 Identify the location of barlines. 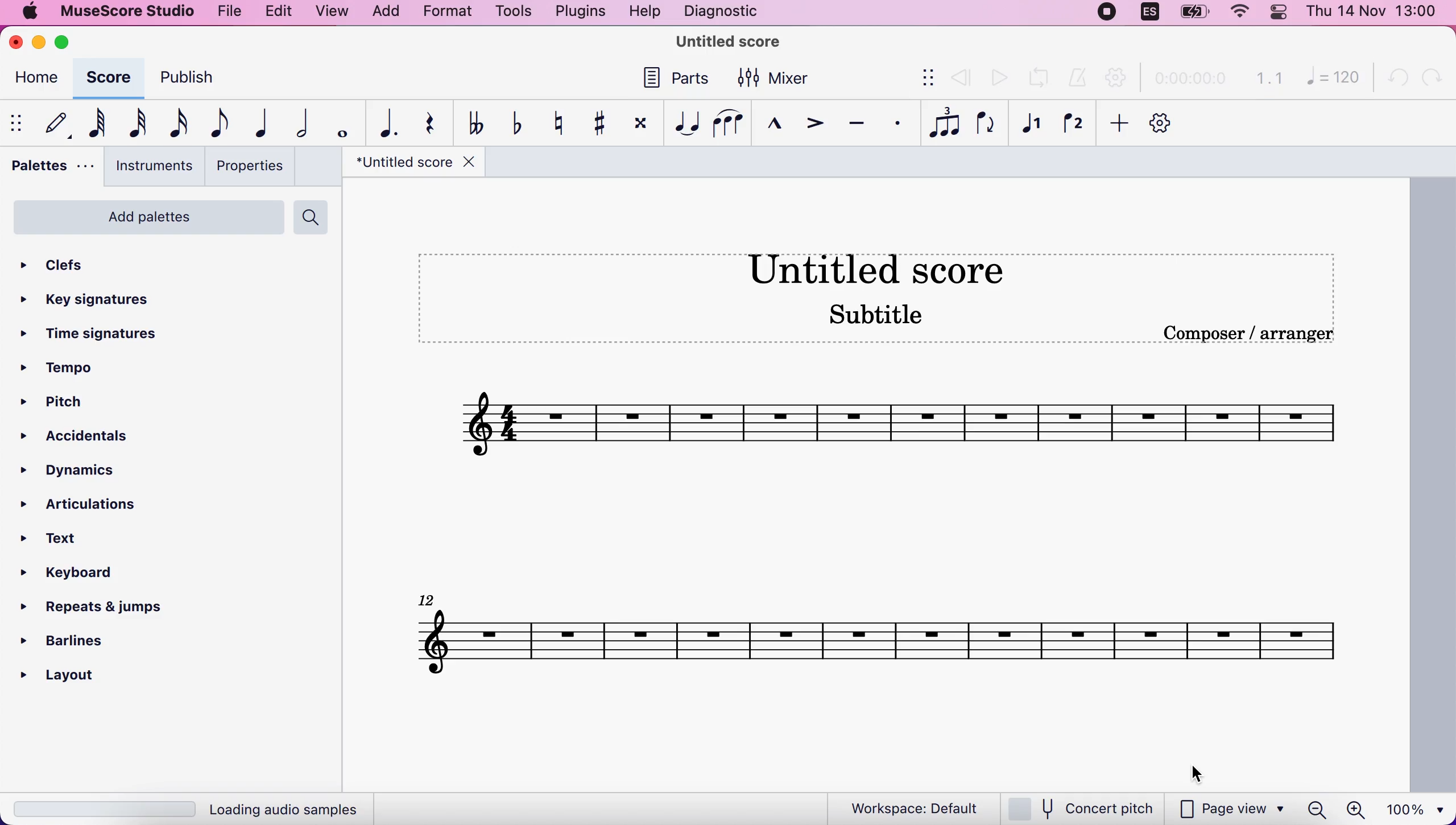
(64, 642).